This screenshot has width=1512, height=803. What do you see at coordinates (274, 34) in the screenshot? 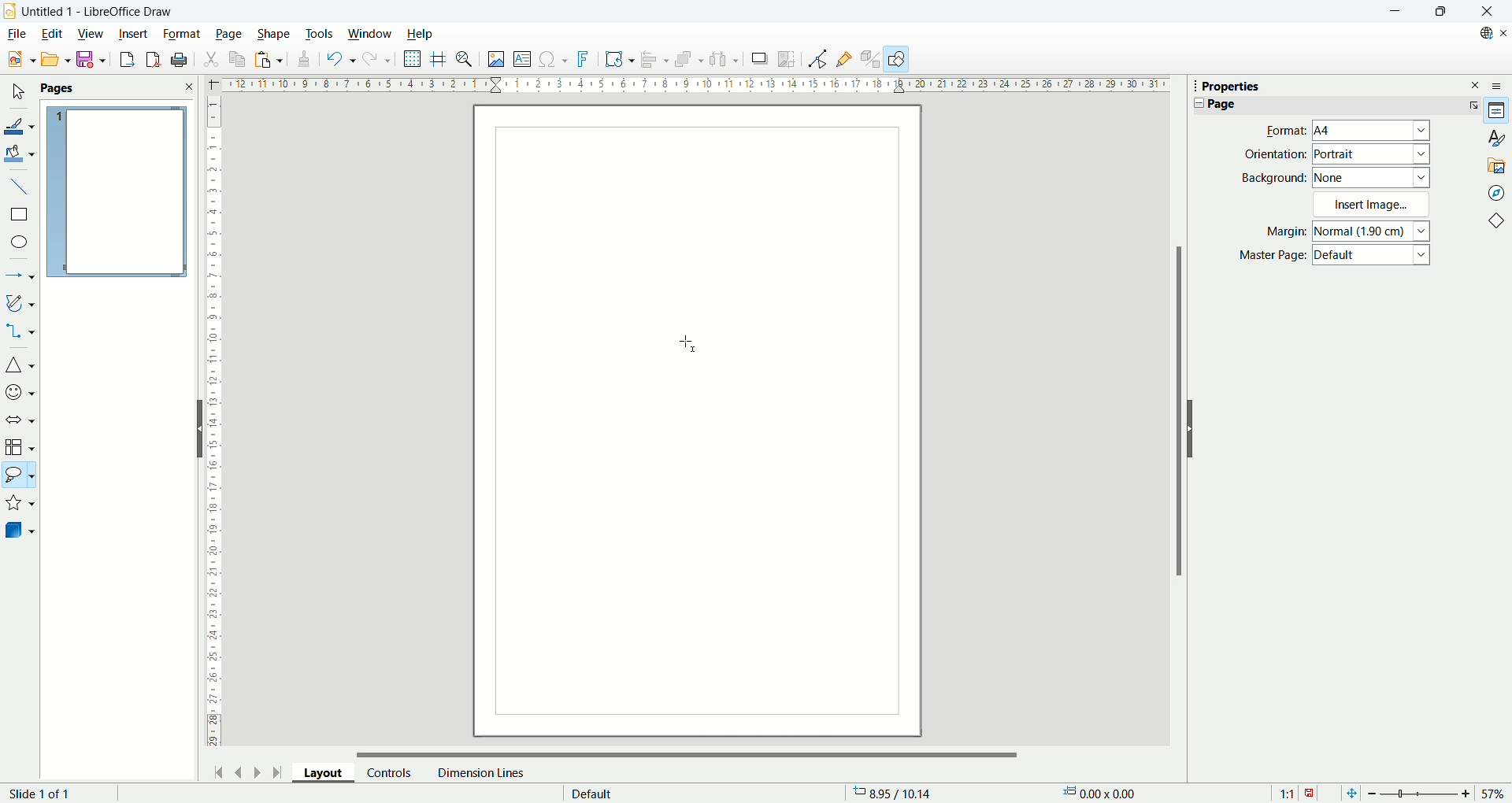
I see `shape` at bounding box center [274, 34].